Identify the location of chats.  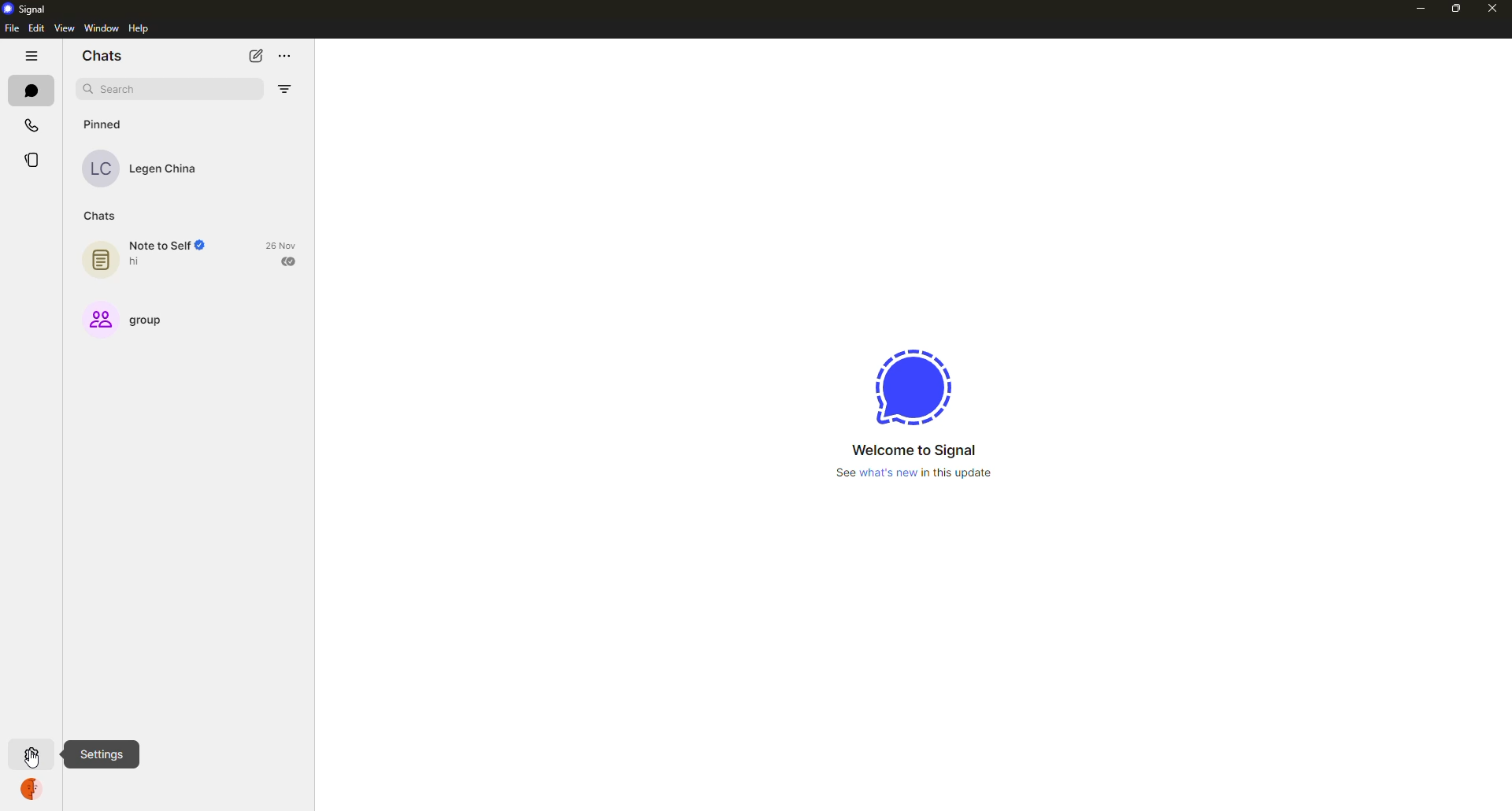
(101, 57).